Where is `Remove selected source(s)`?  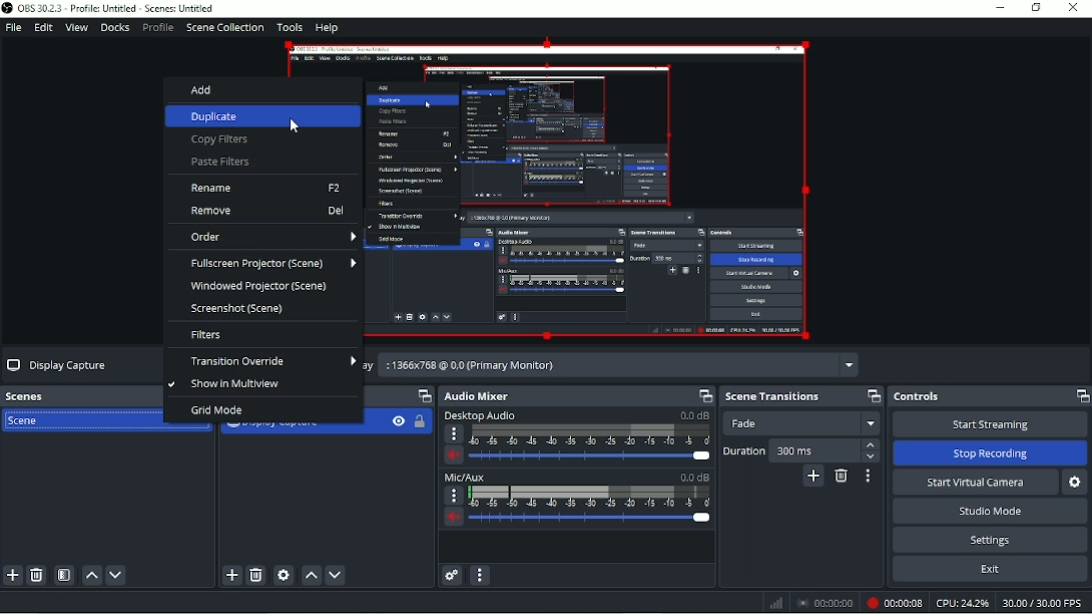
Remove selected source(s) is located at coordinates (256, 576).